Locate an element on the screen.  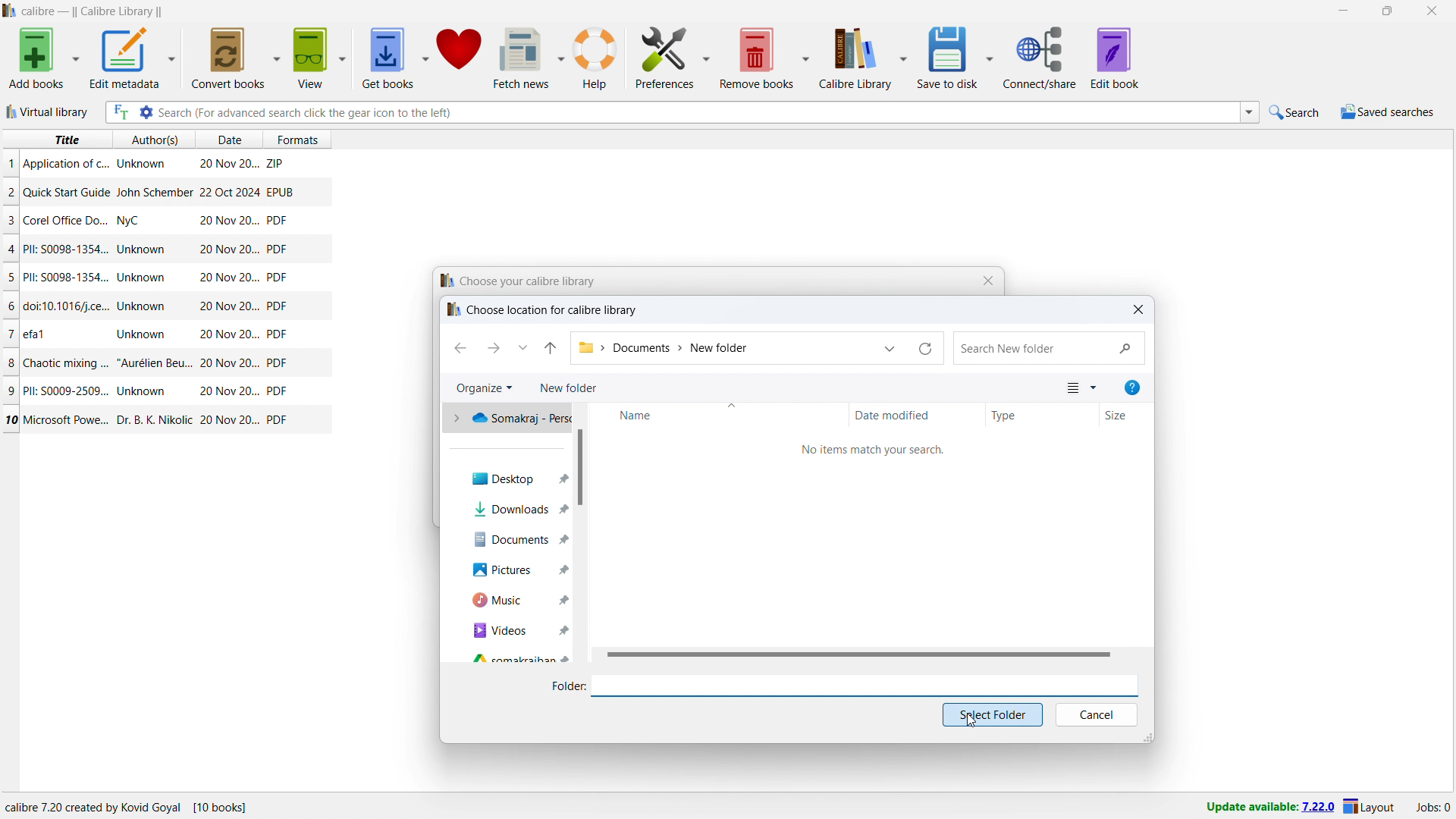
Date is located at coordinates (227, 221).